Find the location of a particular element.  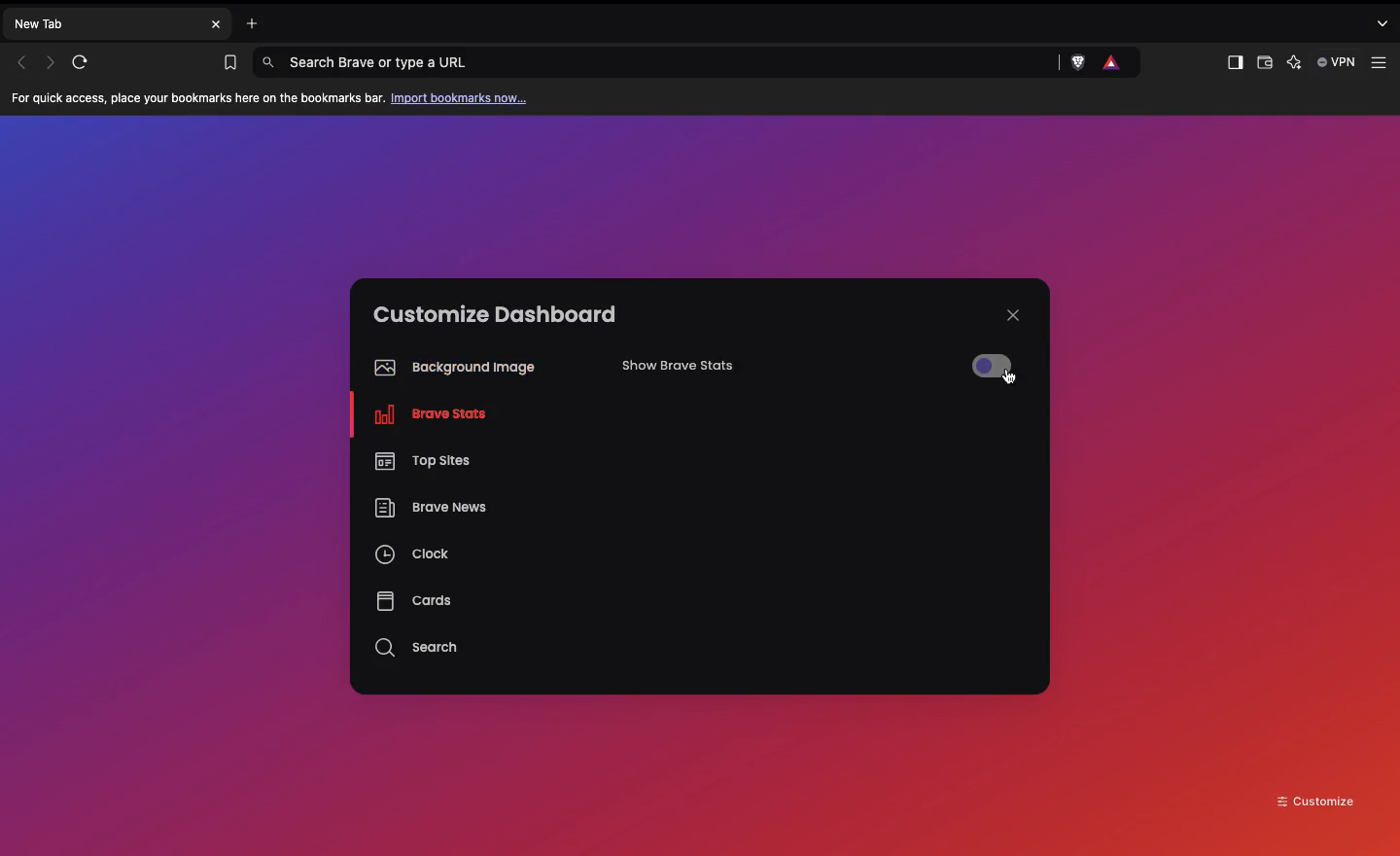

Customize is located at coordinates (1316, 800).